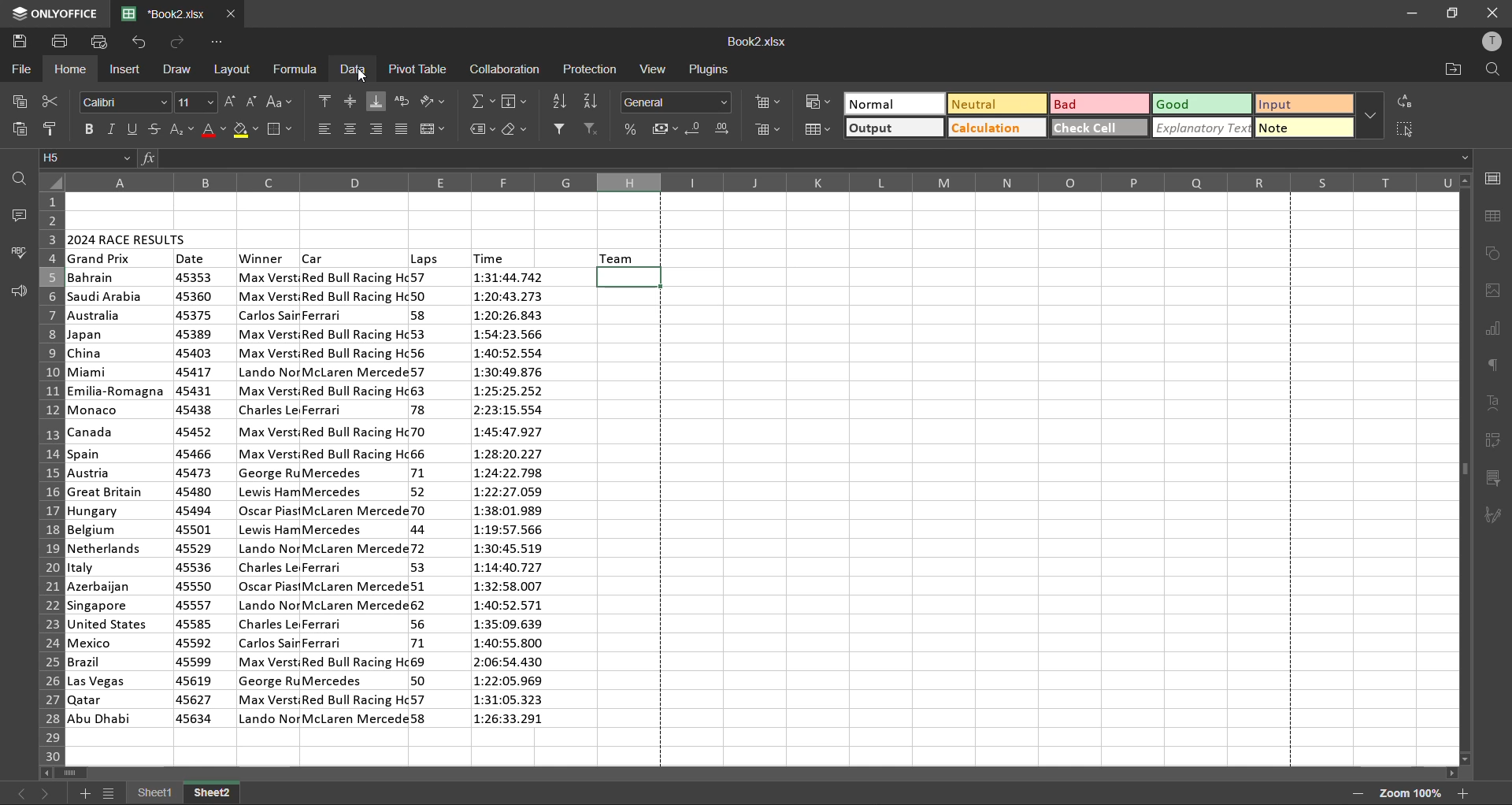  Describe the element at coordinates (723, 129) in the screenshot. I see `increase decimal` at that location.